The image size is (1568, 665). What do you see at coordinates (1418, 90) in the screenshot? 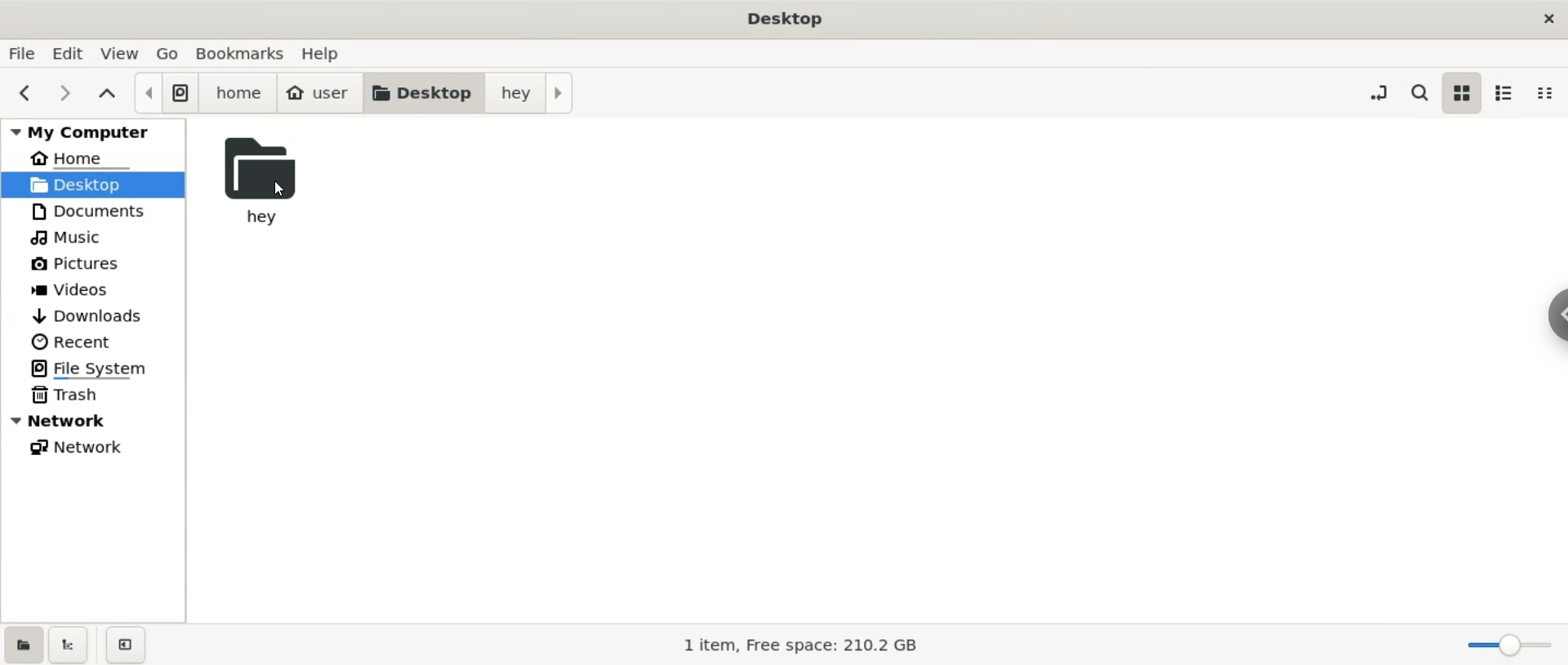
I see `search` at bounding box center [1418, 90].